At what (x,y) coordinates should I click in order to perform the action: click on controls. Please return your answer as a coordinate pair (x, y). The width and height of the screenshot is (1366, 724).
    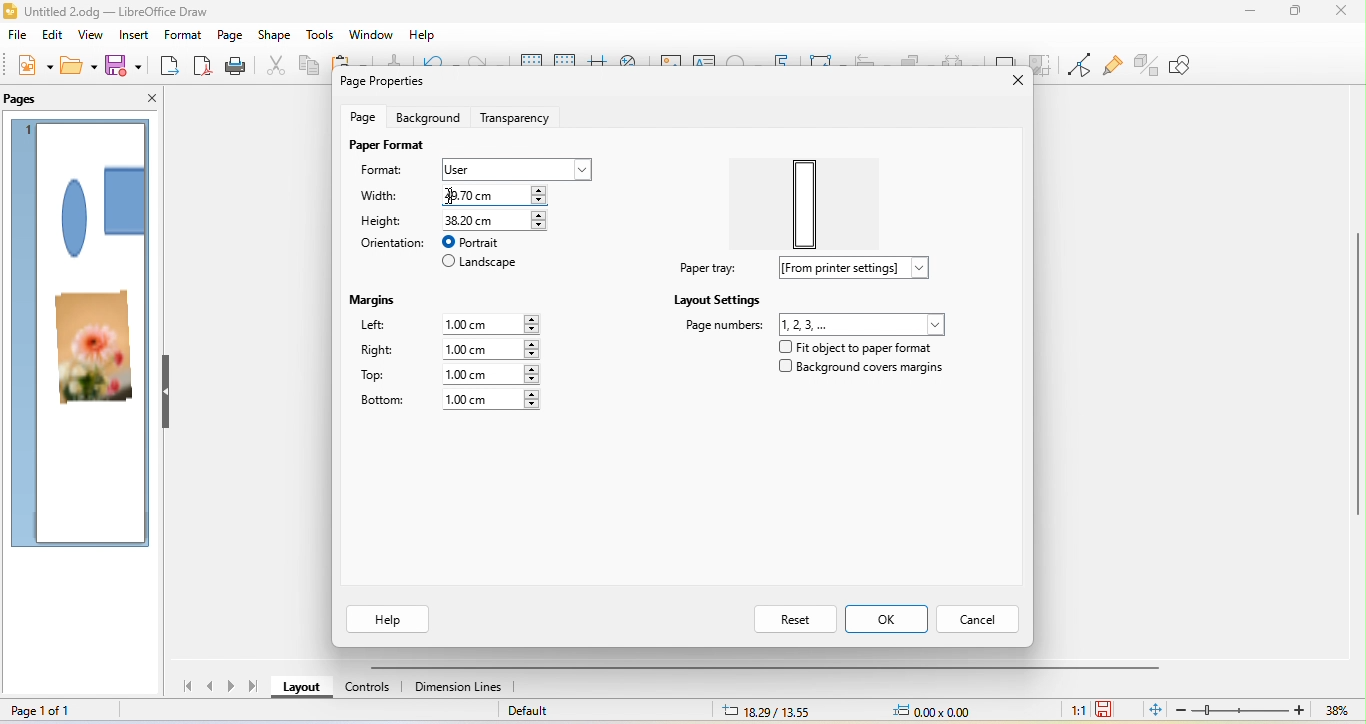
    Looking at the image, I should click on (363, 692).